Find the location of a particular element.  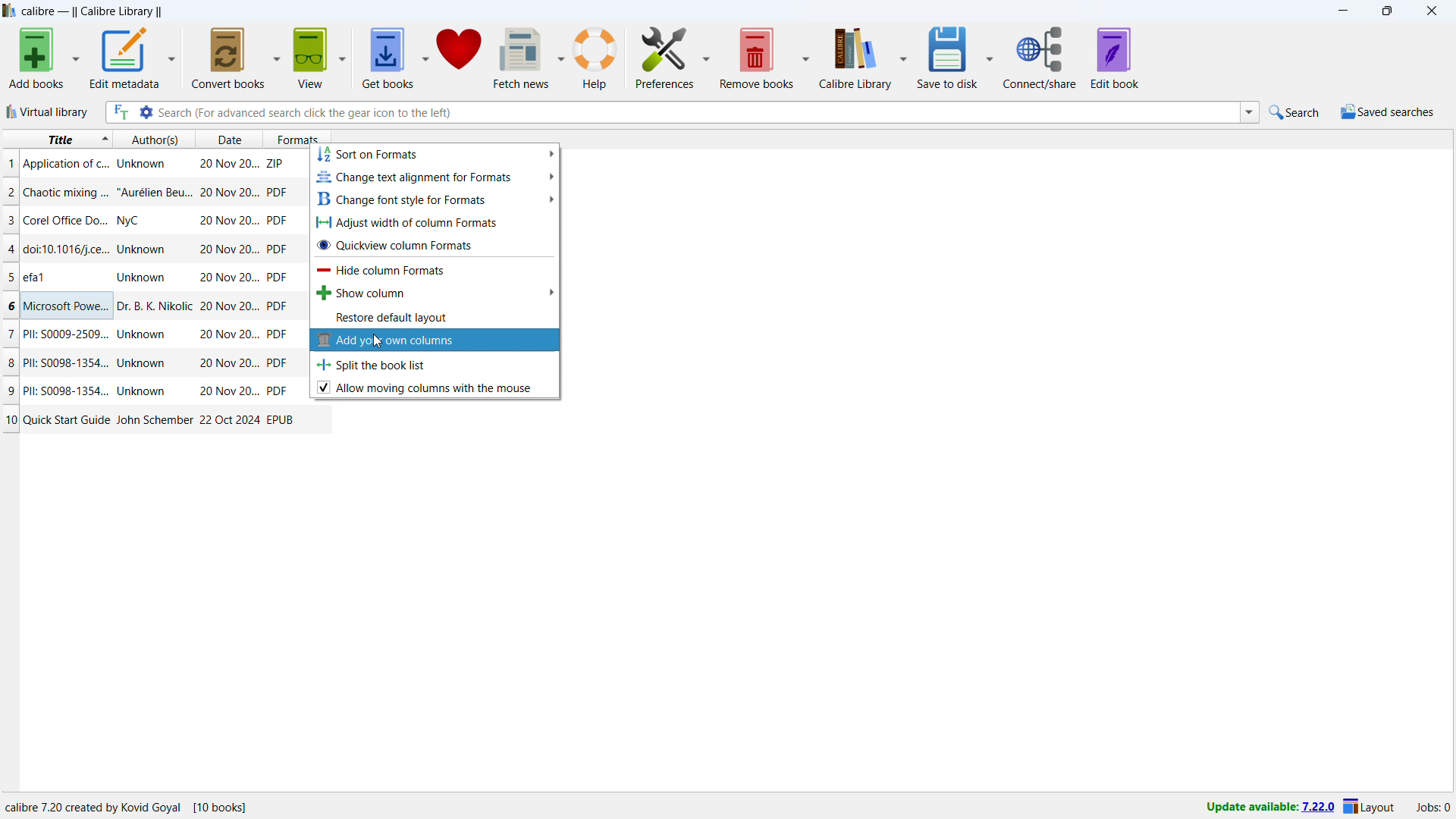

title is located at coordinates (66, 220).